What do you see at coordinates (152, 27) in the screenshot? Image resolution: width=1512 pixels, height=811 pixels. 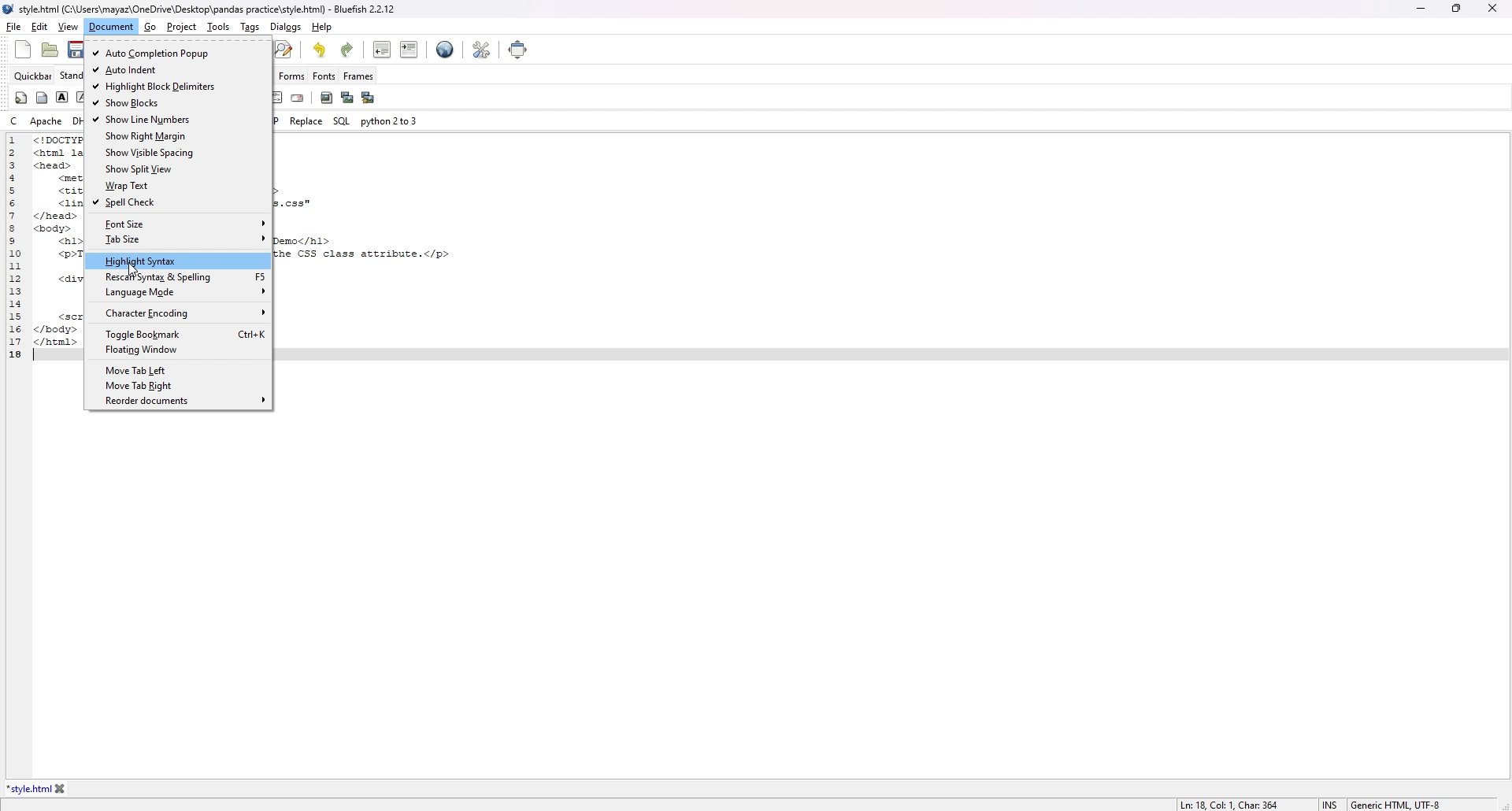 I see `go` at bounding box center [152, 27].